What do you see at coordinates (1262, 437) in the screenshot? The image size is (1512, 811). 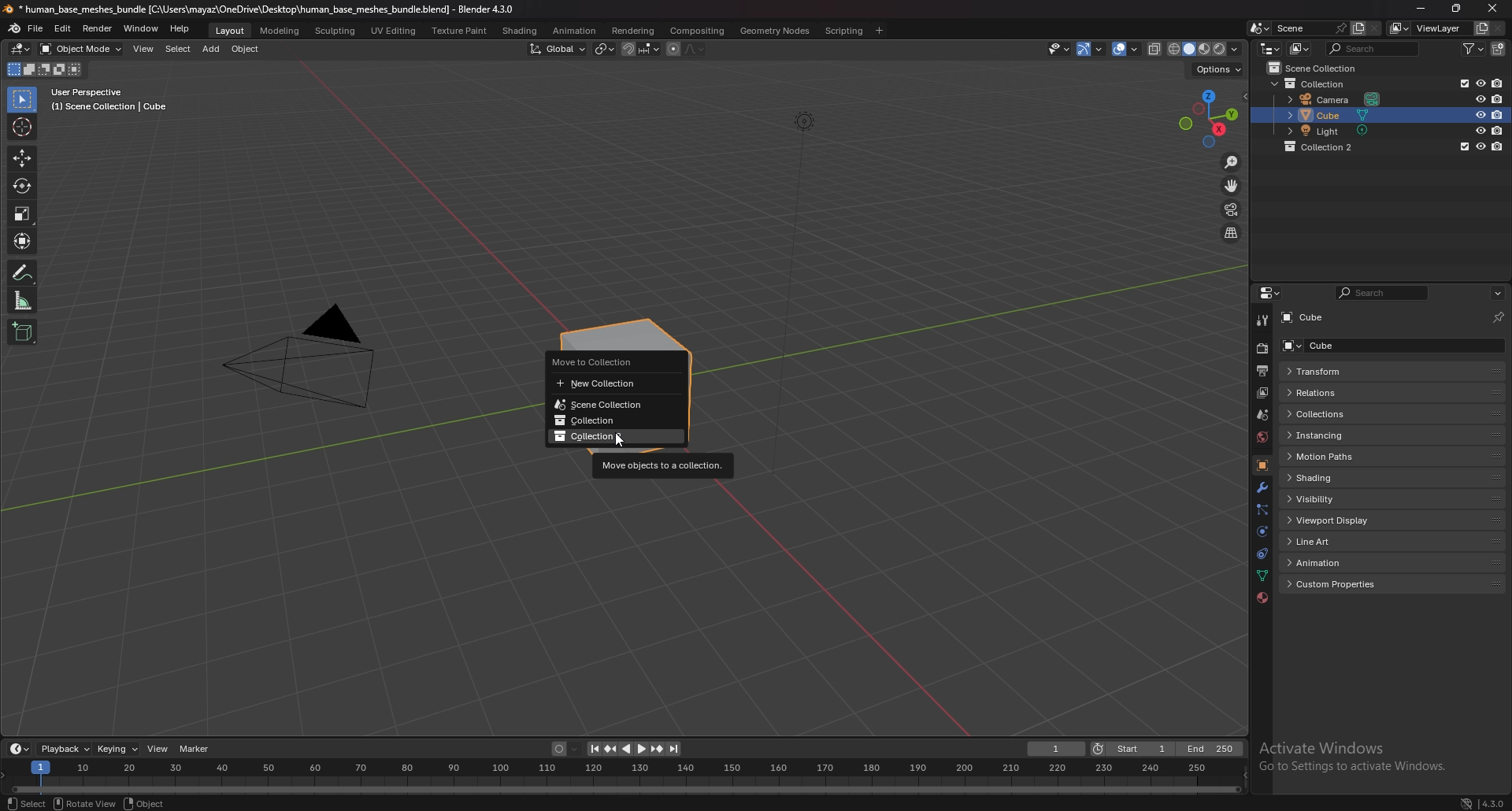 I see `world` at bounding box center [1262, 437].